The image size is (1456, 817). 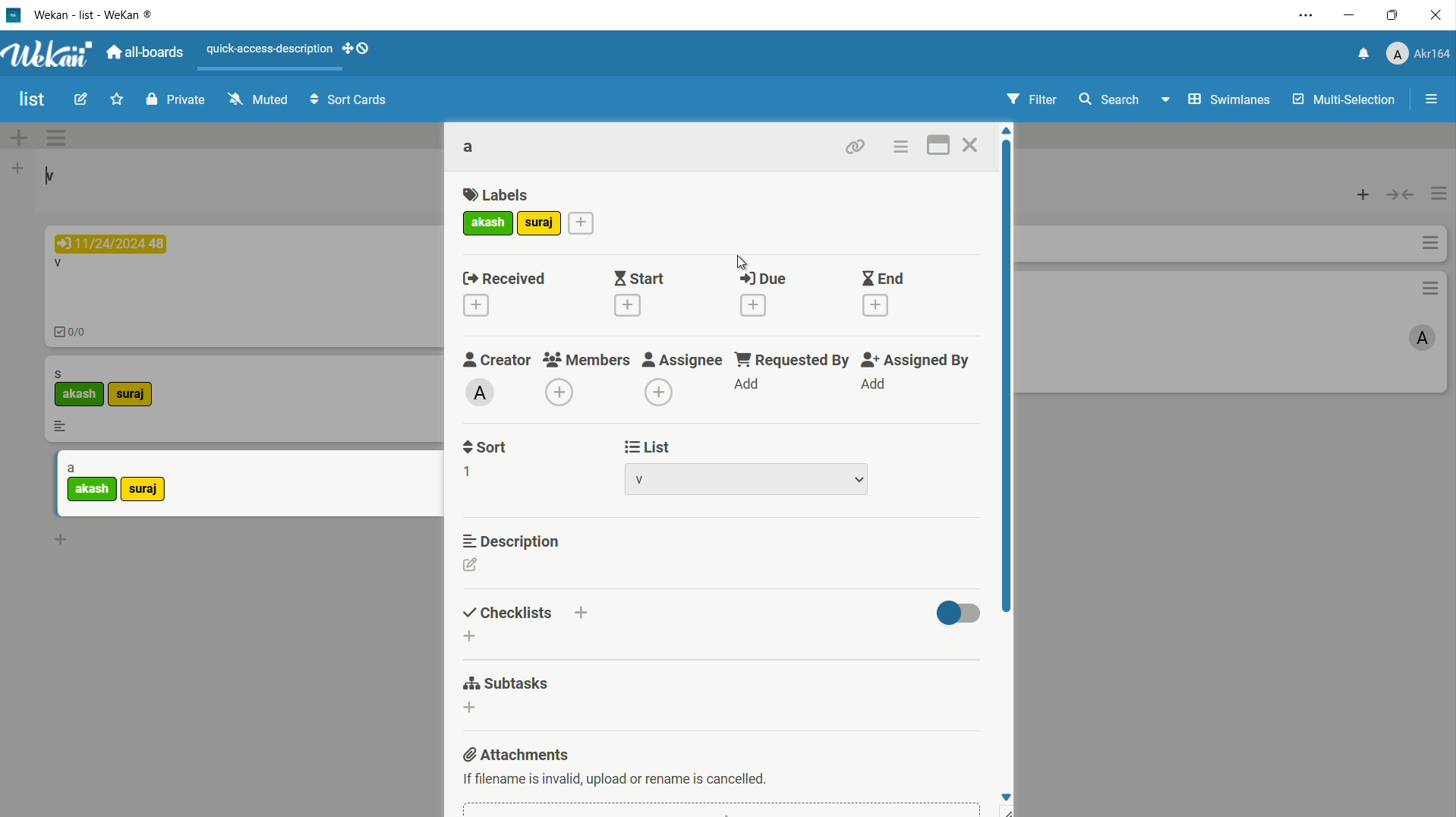 What do you see at coordinates (1361, 54) in the screenshot?
I see `notification` at bounding box center [1361, 54].